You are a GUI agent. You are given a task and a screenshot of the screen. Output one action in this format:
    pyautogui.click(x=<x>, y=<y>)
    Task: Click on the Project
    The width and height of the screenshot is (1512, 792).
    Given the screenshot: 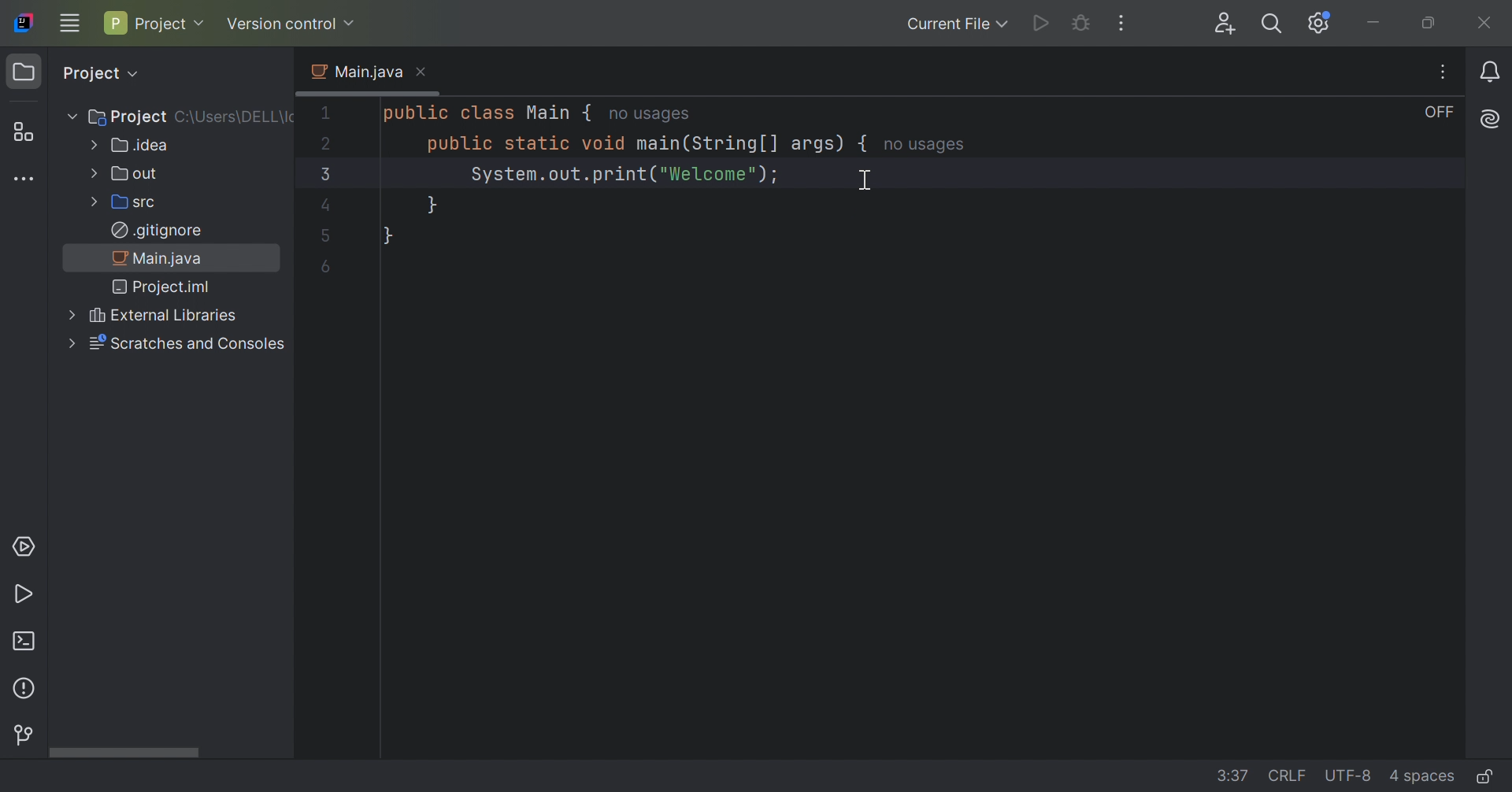 What is the action you would take?
    pyautogui.click(x=99, y=73)
    